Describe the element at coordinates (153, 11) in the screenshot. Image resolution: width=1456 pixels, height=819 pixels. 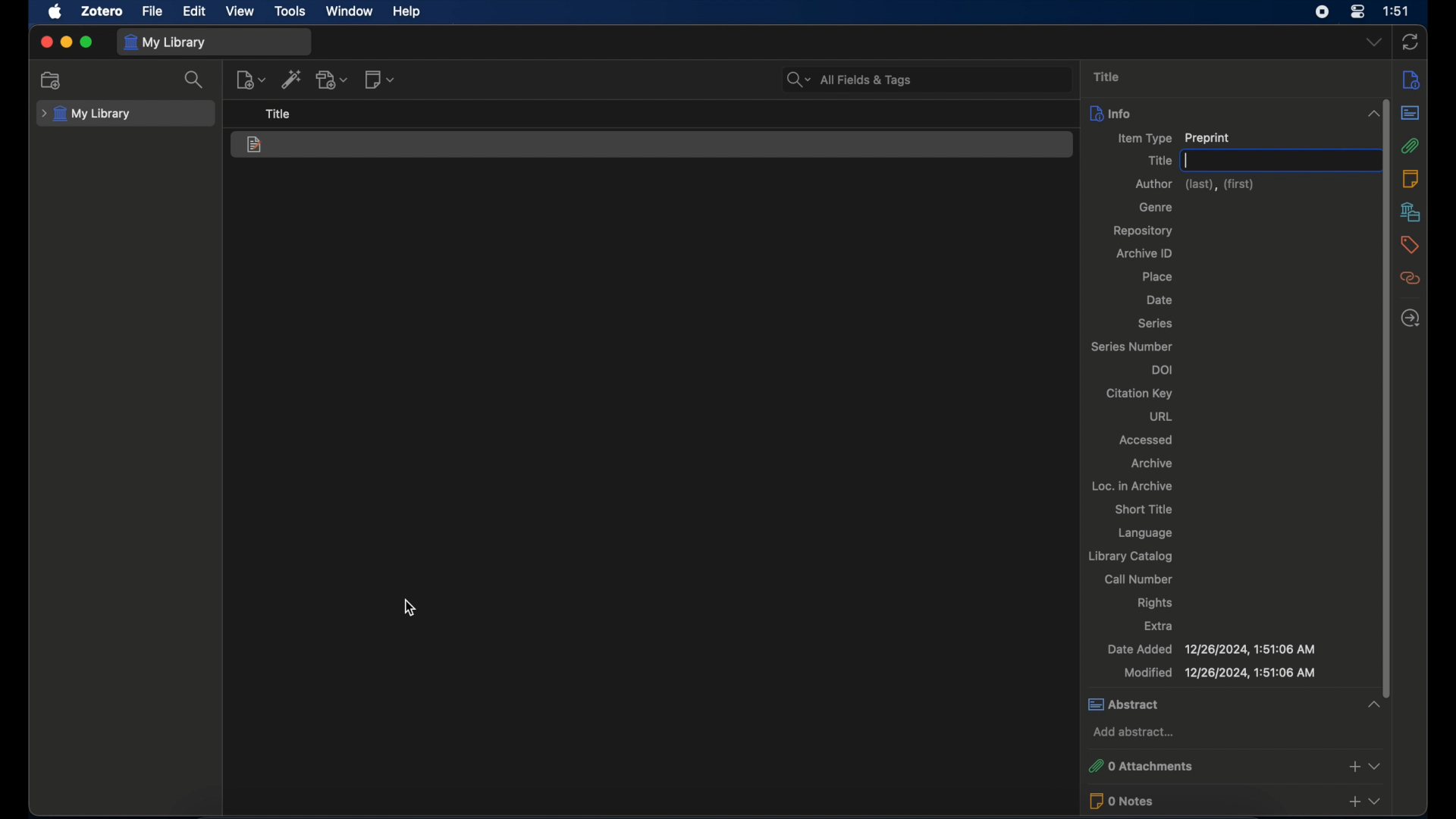
I see `file` at that location.